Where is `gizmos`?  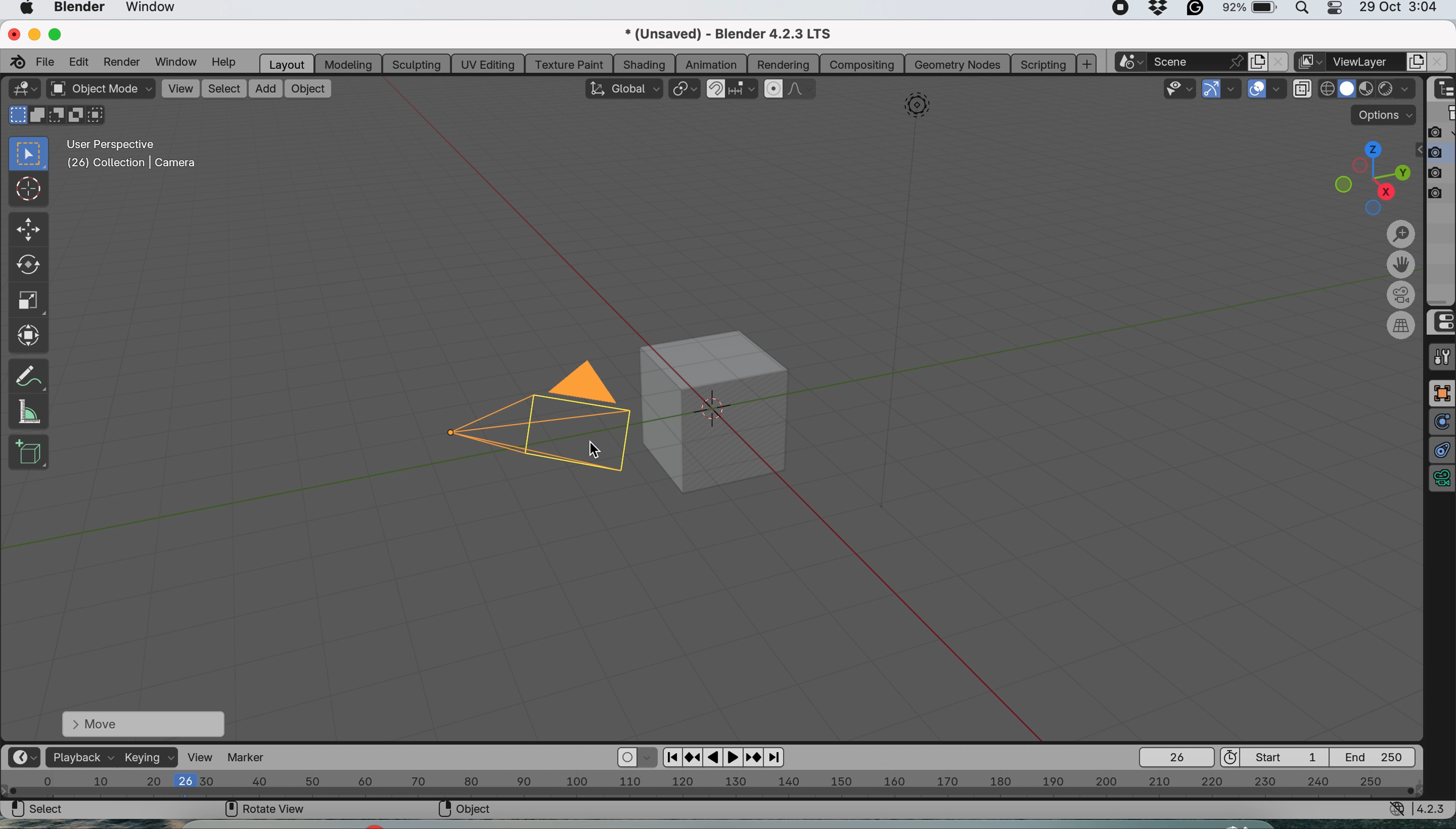
gizmos is located at coordinates (1233, 90).